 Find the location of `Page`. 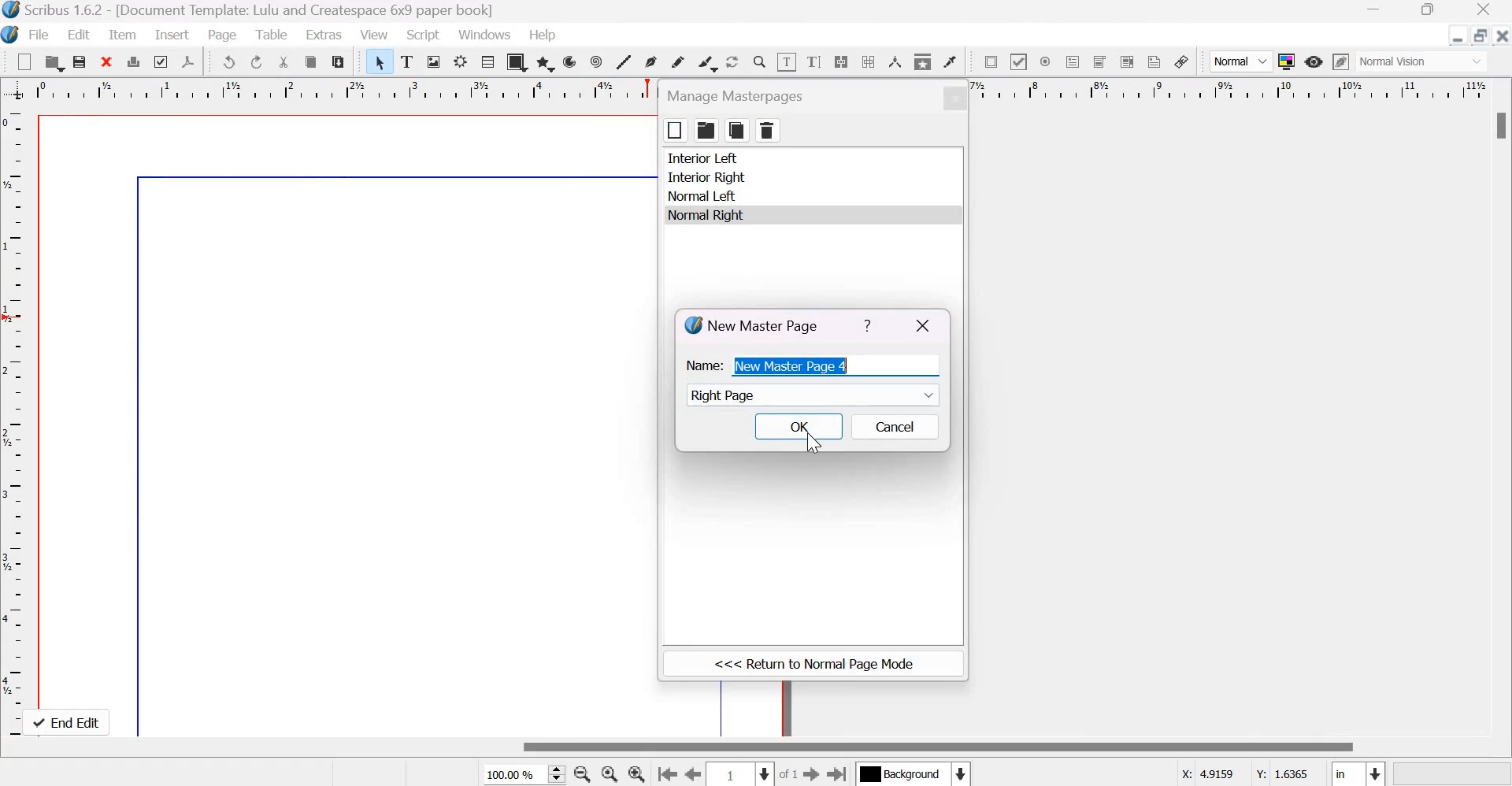

Page is located at coordinates (222, 35).